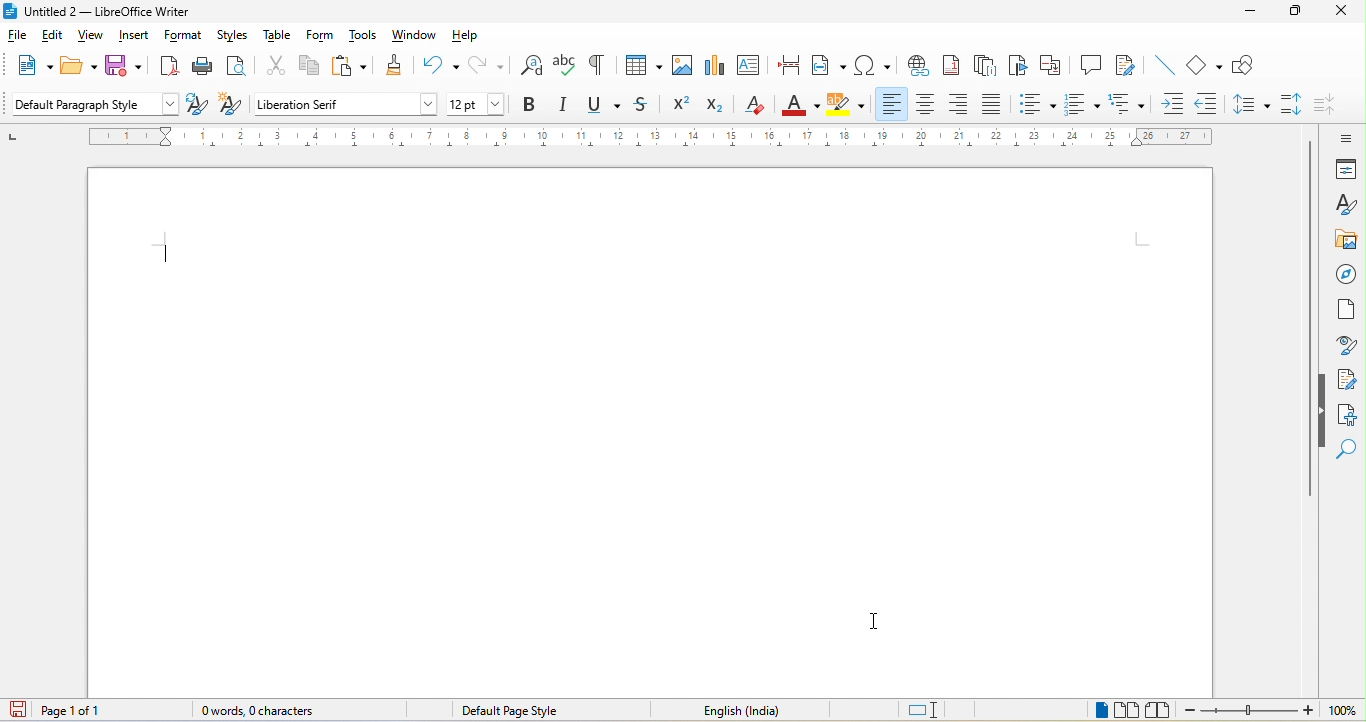 This screenshot has height=722, width=1366. I want to click on italic, so click(563, 108).